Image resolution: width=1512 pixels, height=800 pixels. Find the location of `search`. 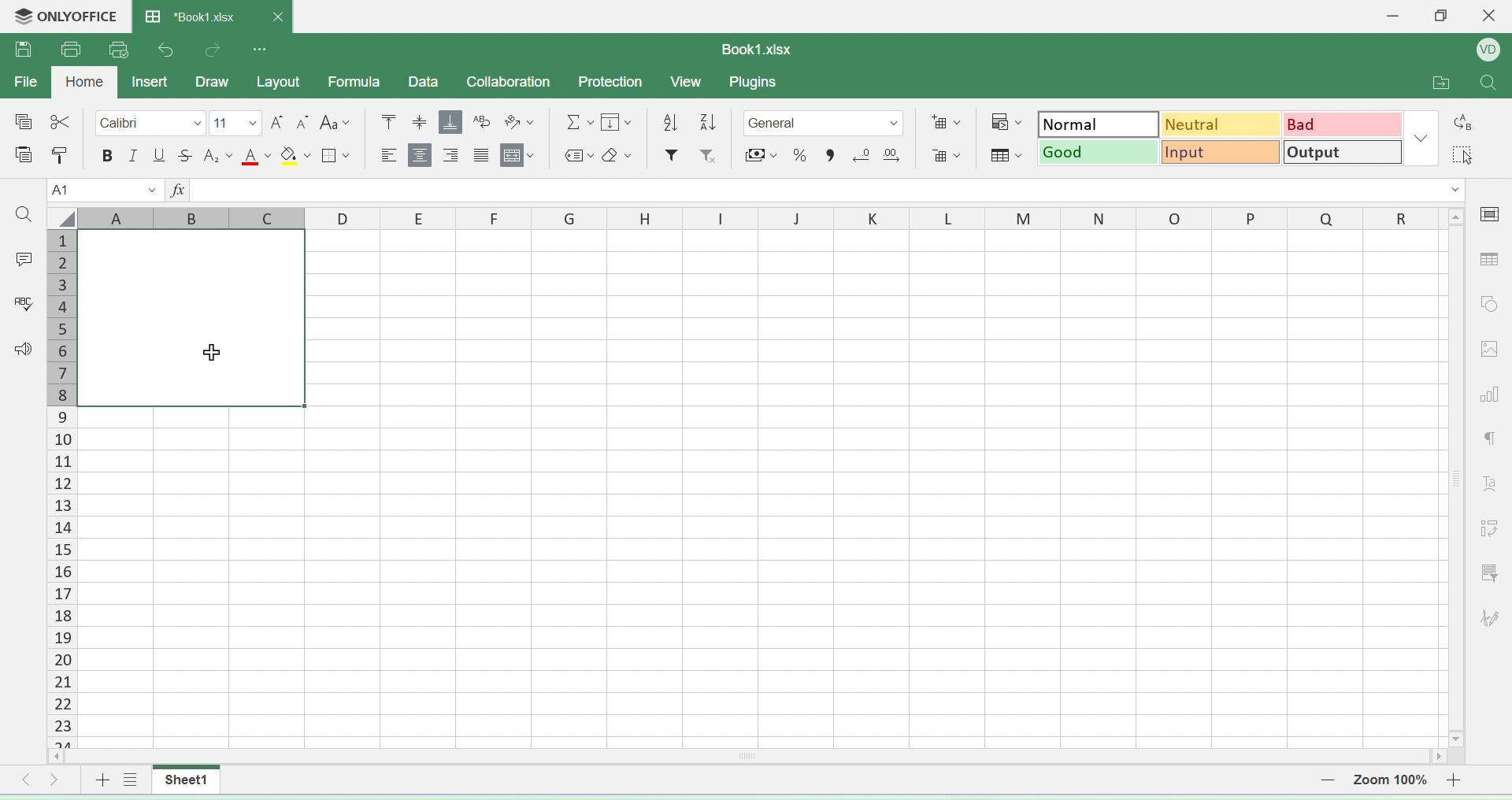

search is located at coordinates (24, 216).